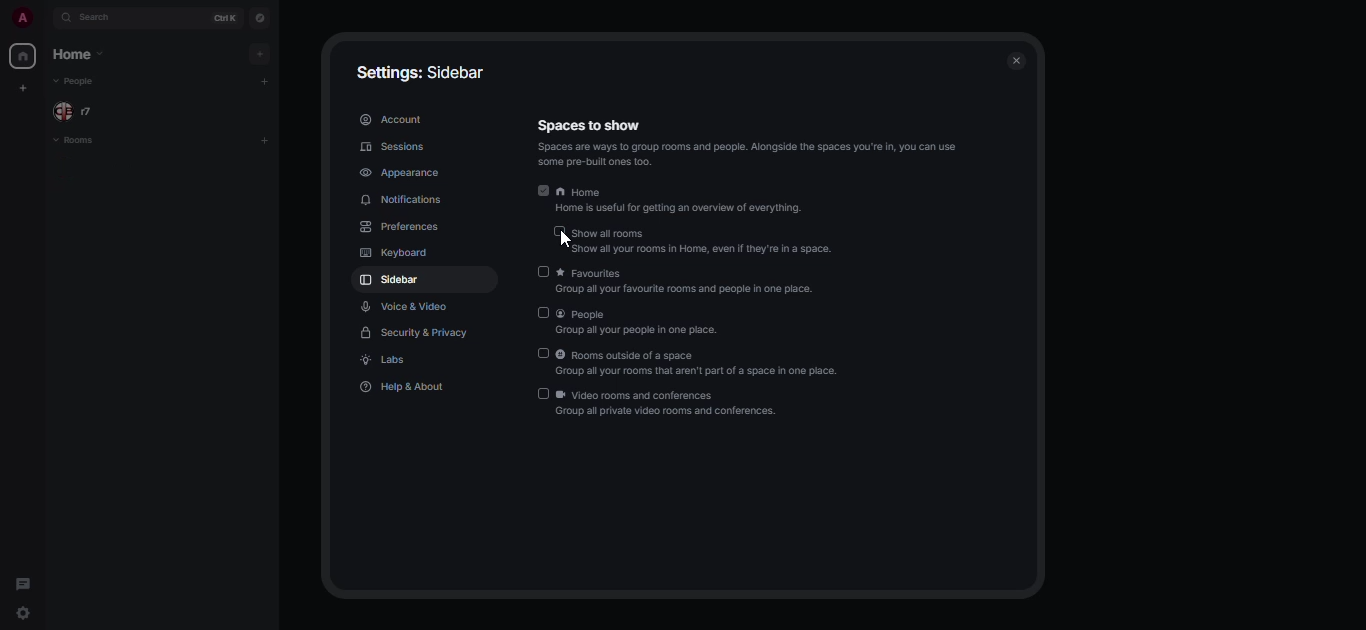  I want to click on info, so click(752, 155).